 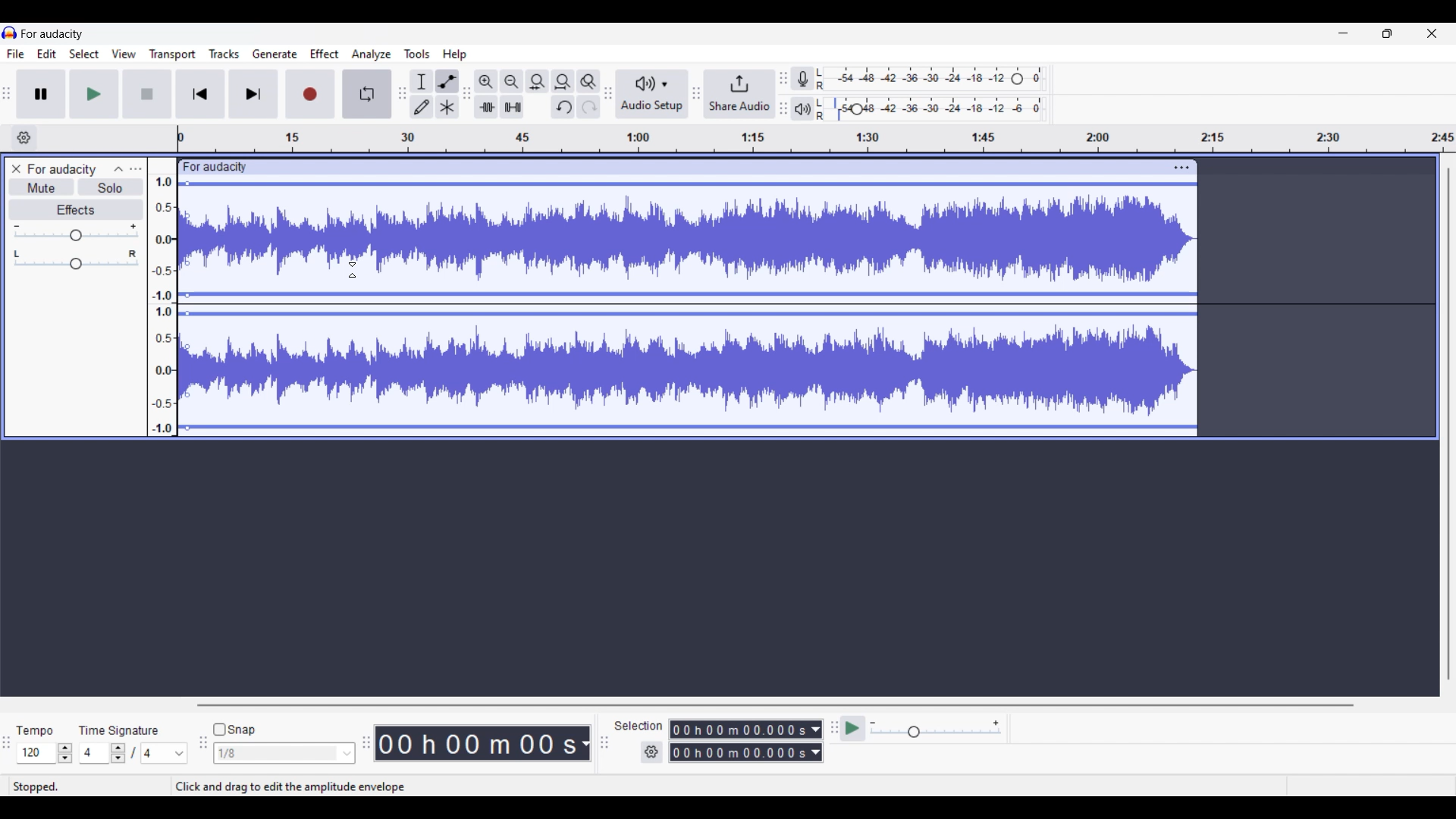 What do you see at coordinates (136, 169) in the screenshot?
I see `Open menu` at bounding box center [136, 169].